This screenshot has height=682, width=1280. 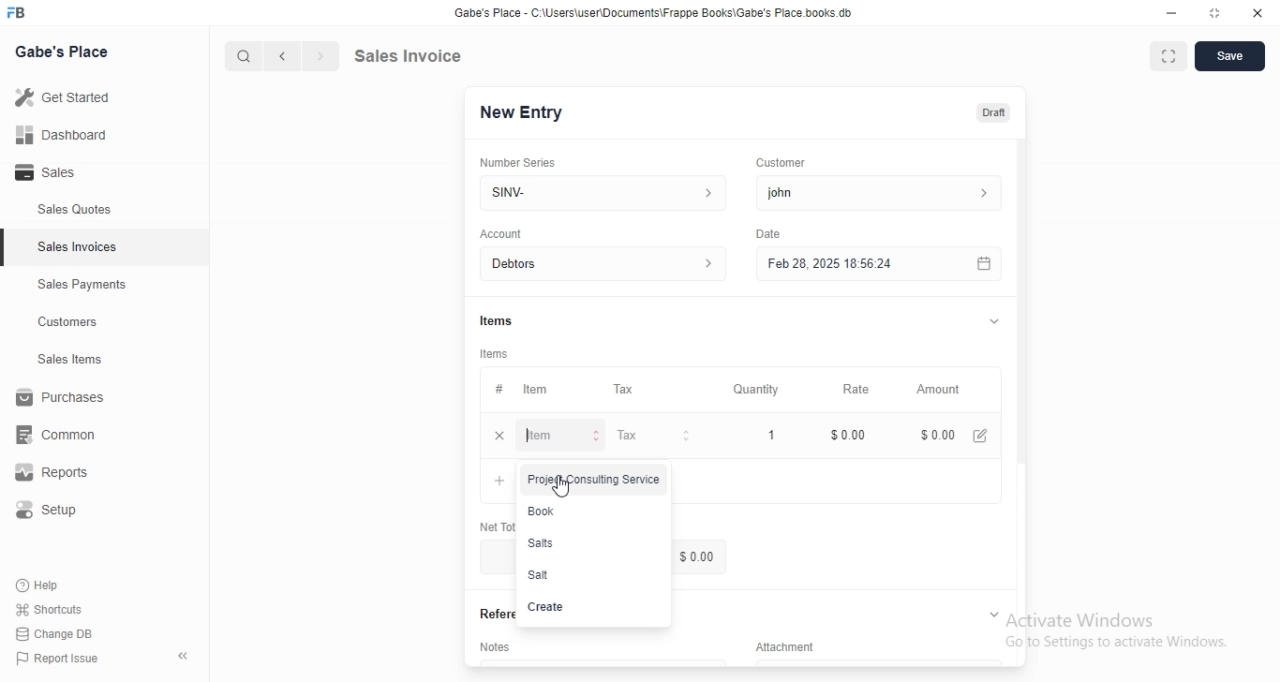 I want to click on Sat, so click(x=586, y=575).